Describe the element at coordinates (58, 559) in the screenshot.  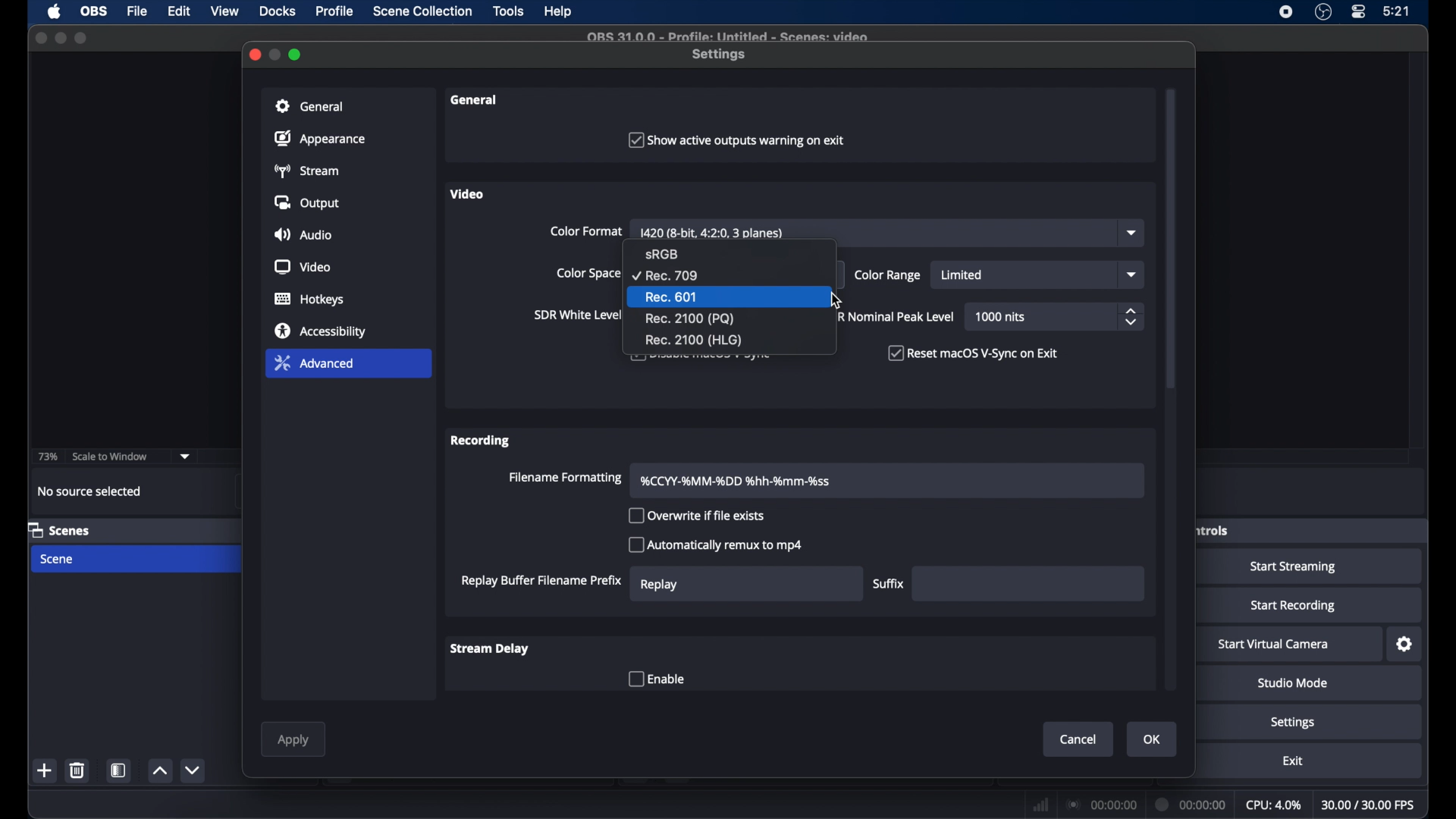
I see `scene` at that location.